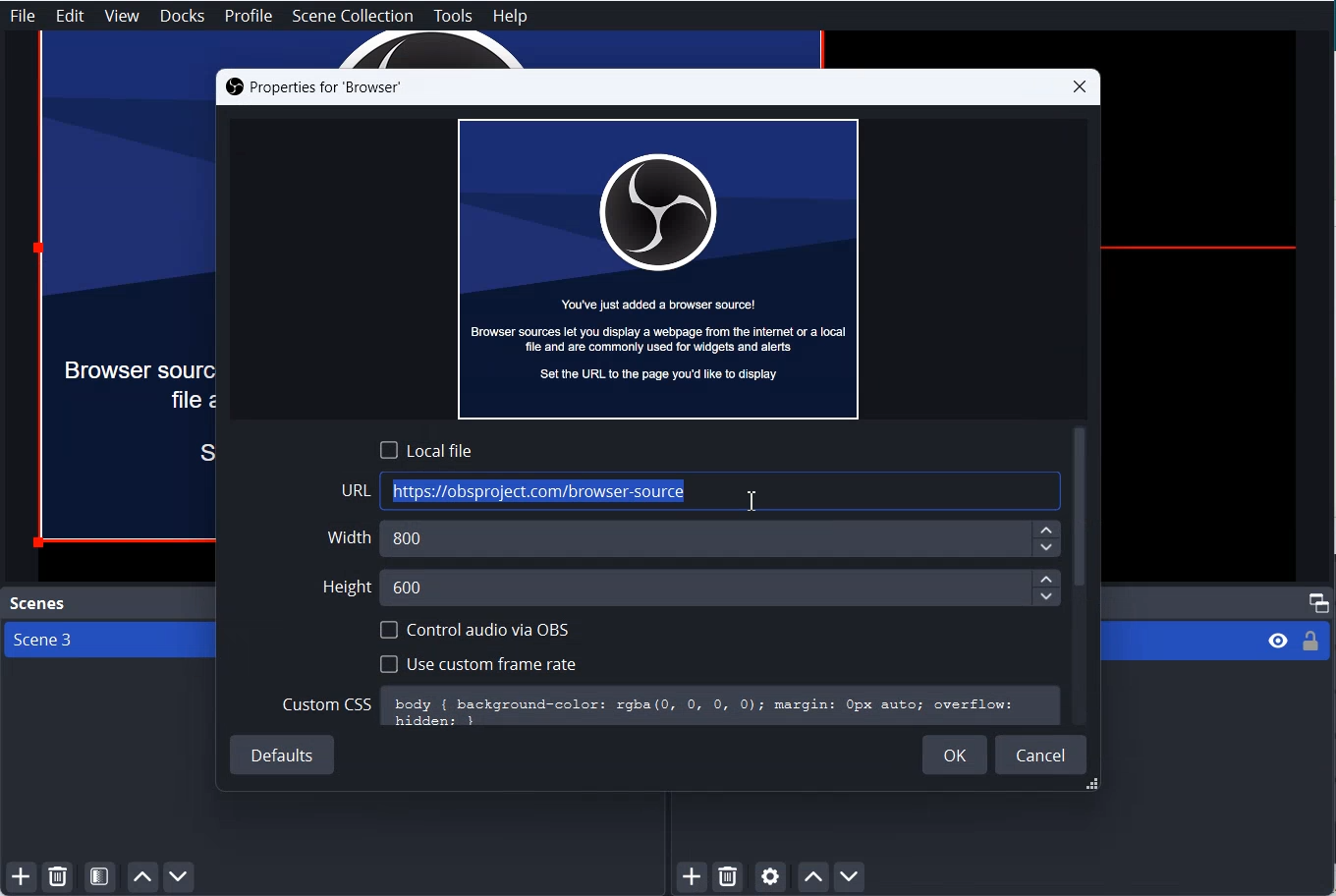 The image size is (1336, 896). I want to click on Move Source up, so click(812, 876).